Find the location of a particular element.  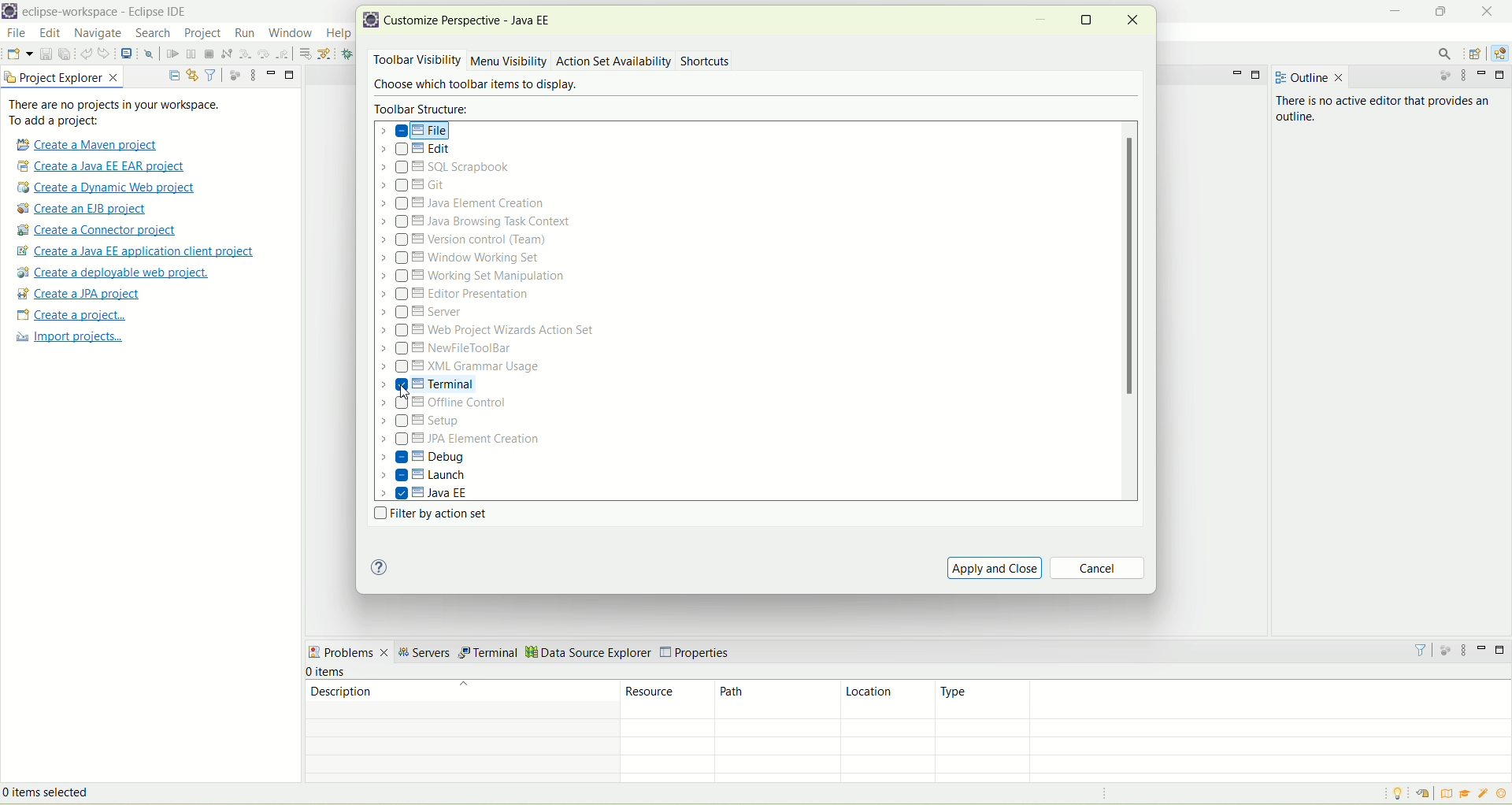

setup is located at coordinates (426, 422).